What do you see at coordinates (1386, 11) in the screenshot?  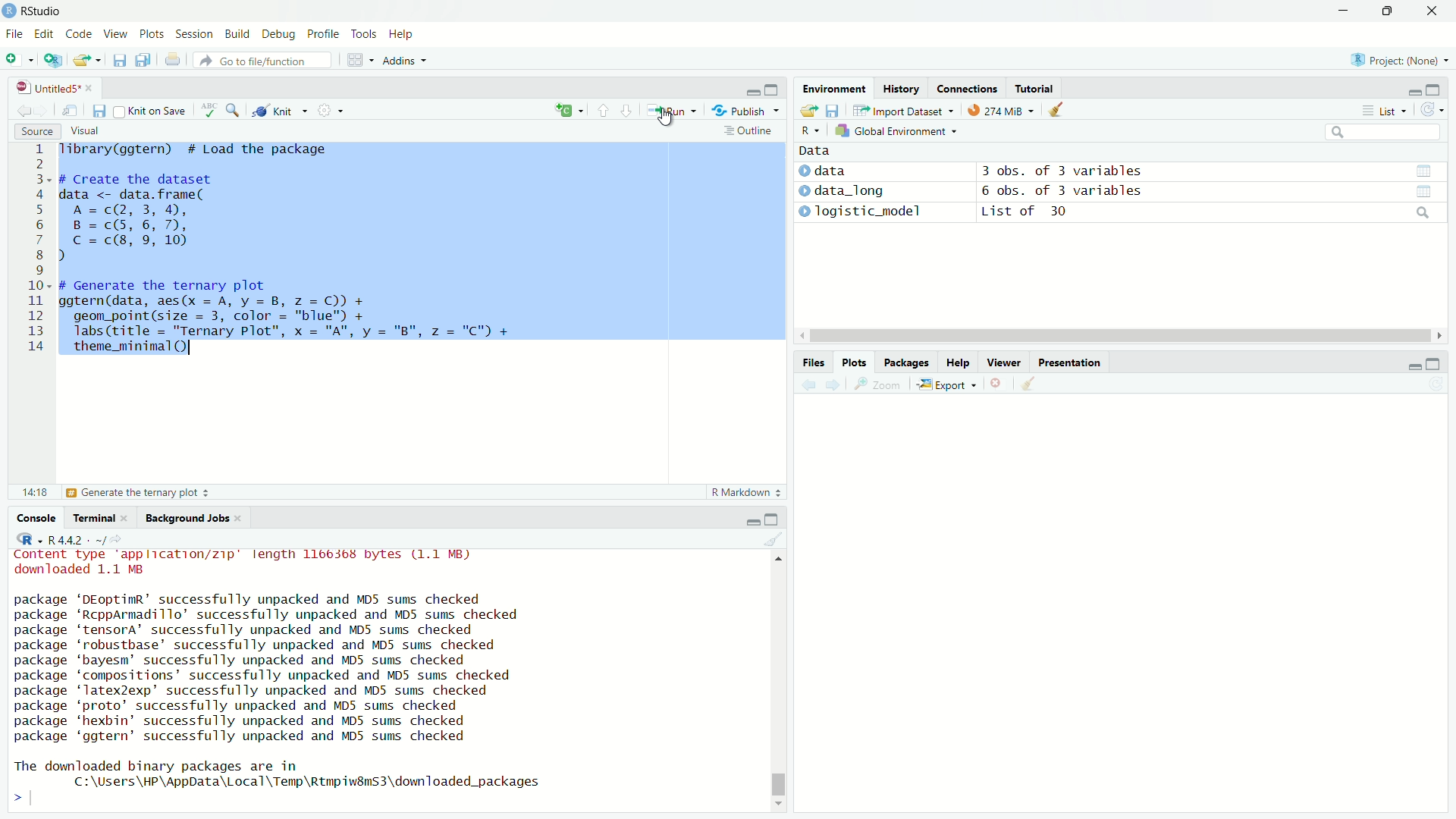 I see `maximise` at bounding box center [1386, 11].